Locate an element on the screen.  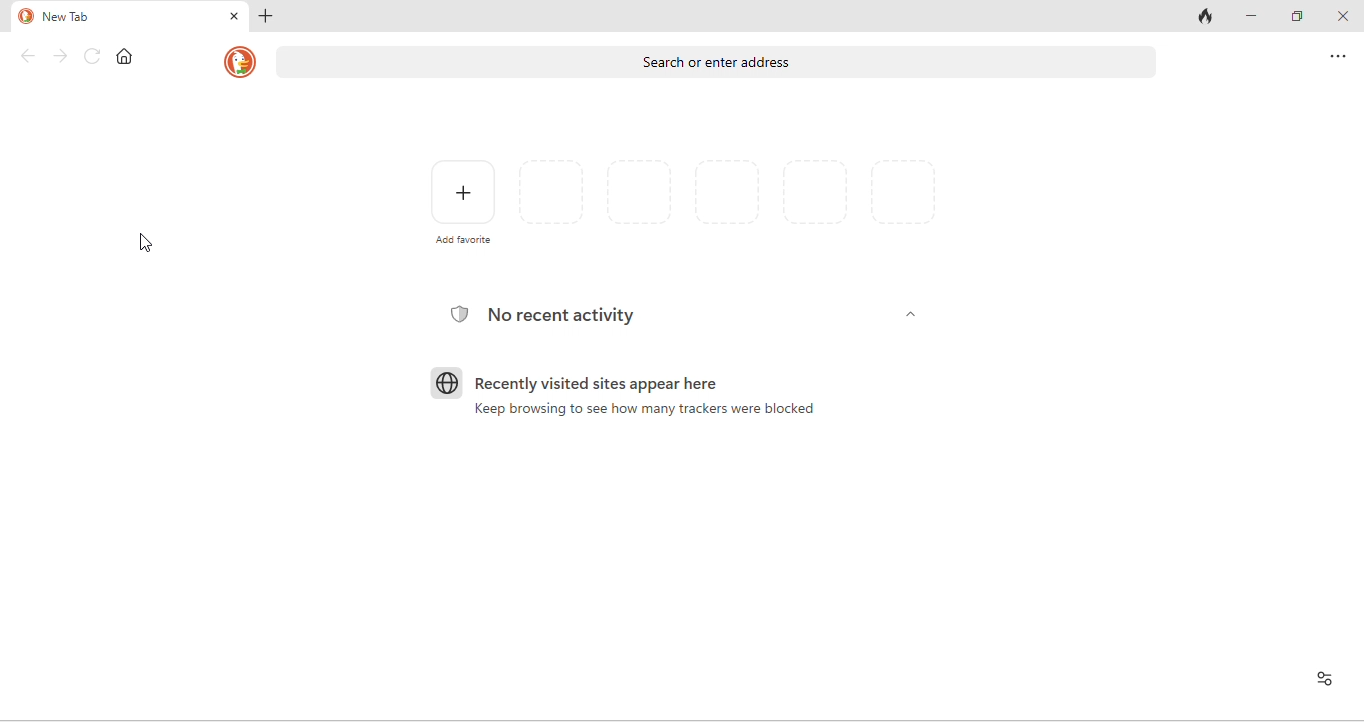
 more options is located at coordinates (1339, 56).